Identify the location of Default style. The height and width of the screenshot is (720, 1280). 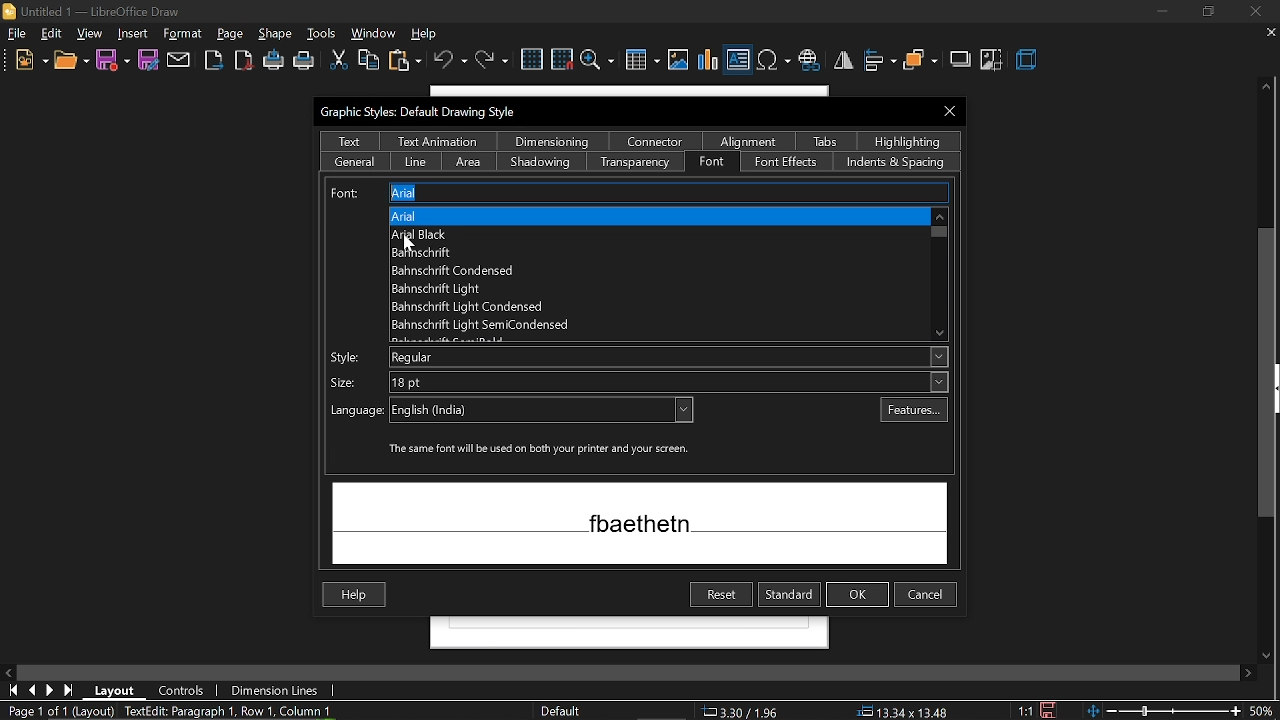
(564, 712).